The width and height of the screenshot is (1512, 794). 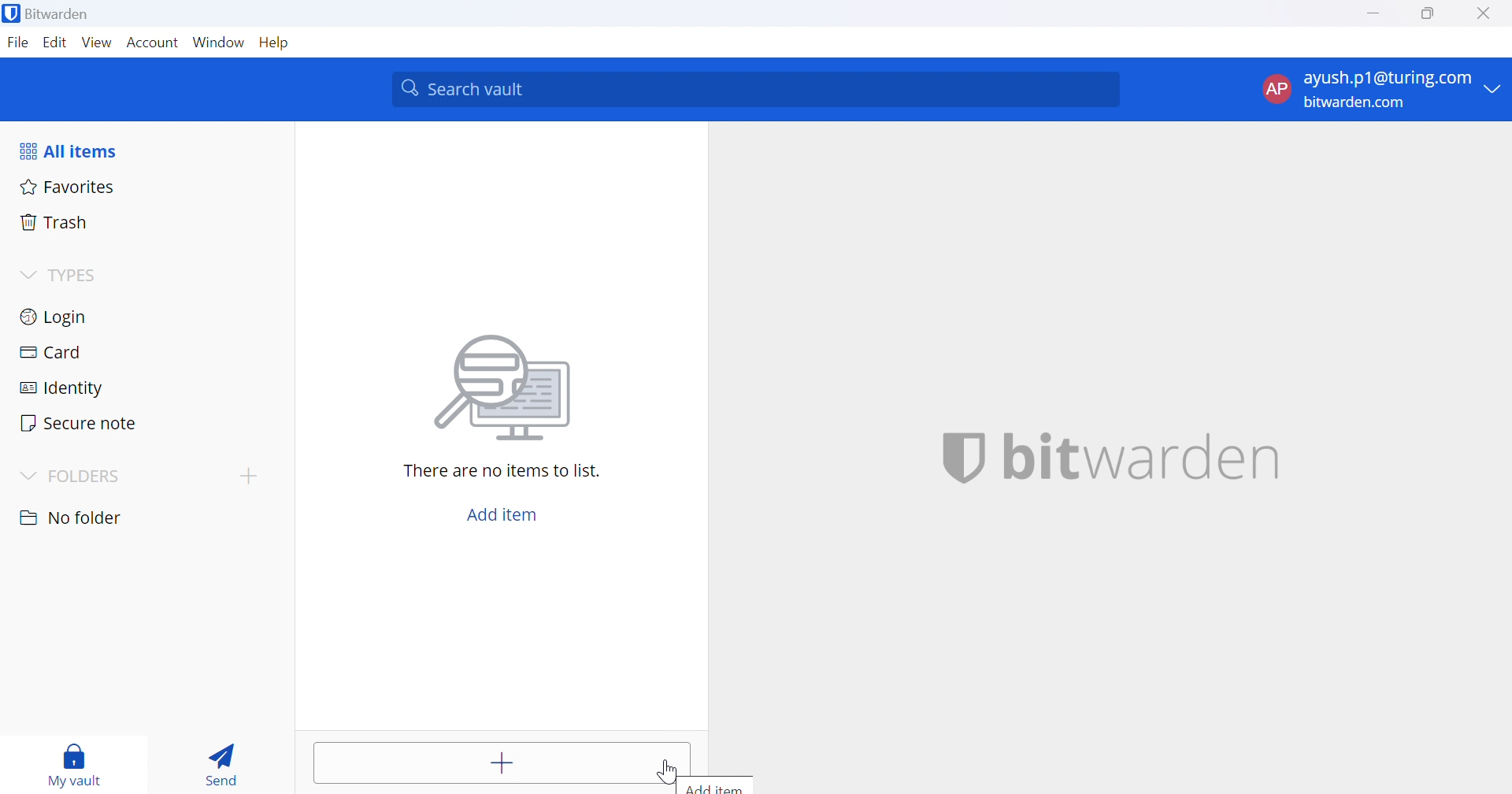 What do you see at coordinates (51, 351) in the screenshot?
I see `Card` at bounding box center [51, 351].